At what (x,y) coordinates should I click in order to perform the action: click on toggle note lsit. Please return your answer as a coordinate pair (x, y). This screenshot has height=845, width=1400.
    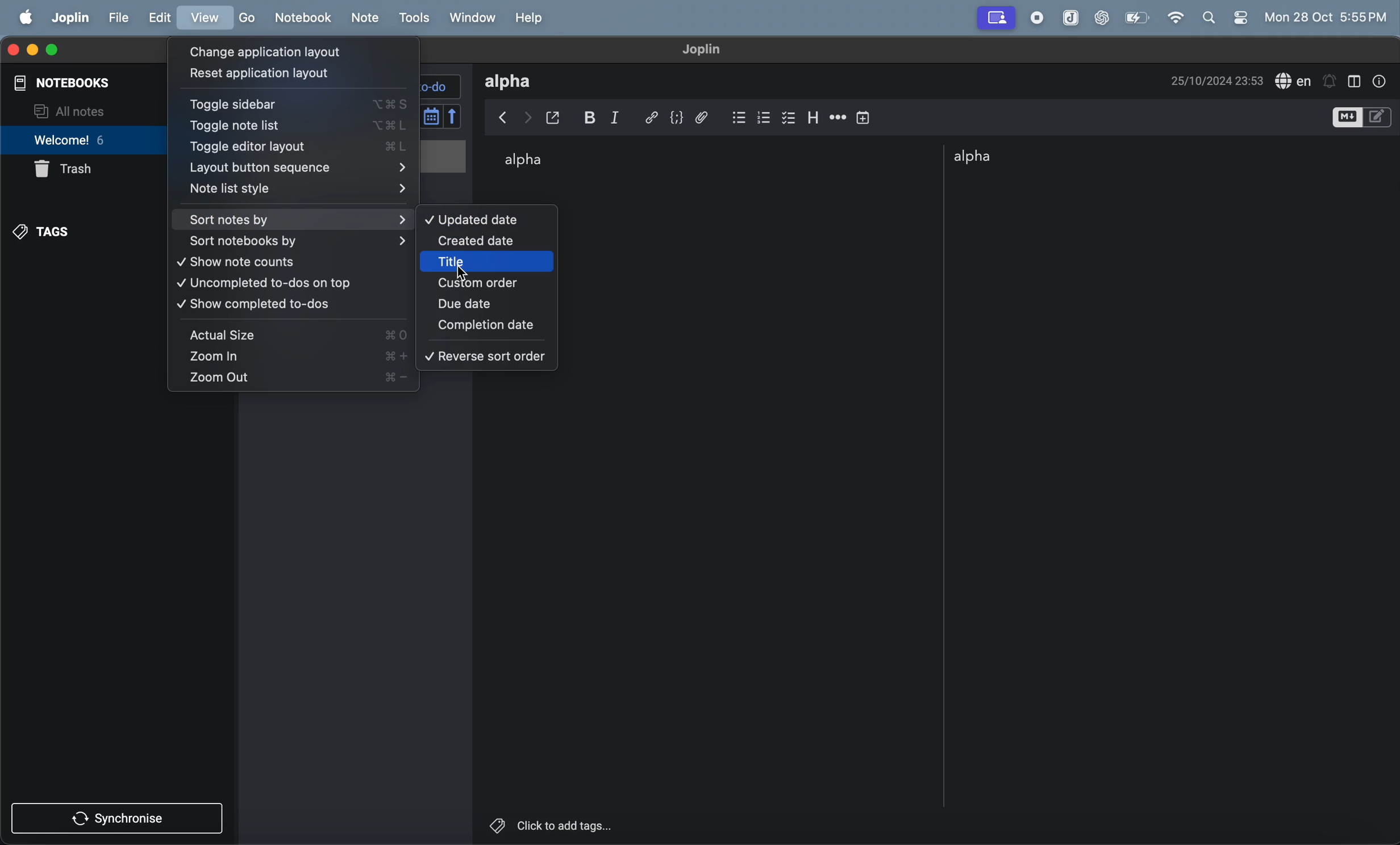
    Looking at the image, I should click on (299, 127).